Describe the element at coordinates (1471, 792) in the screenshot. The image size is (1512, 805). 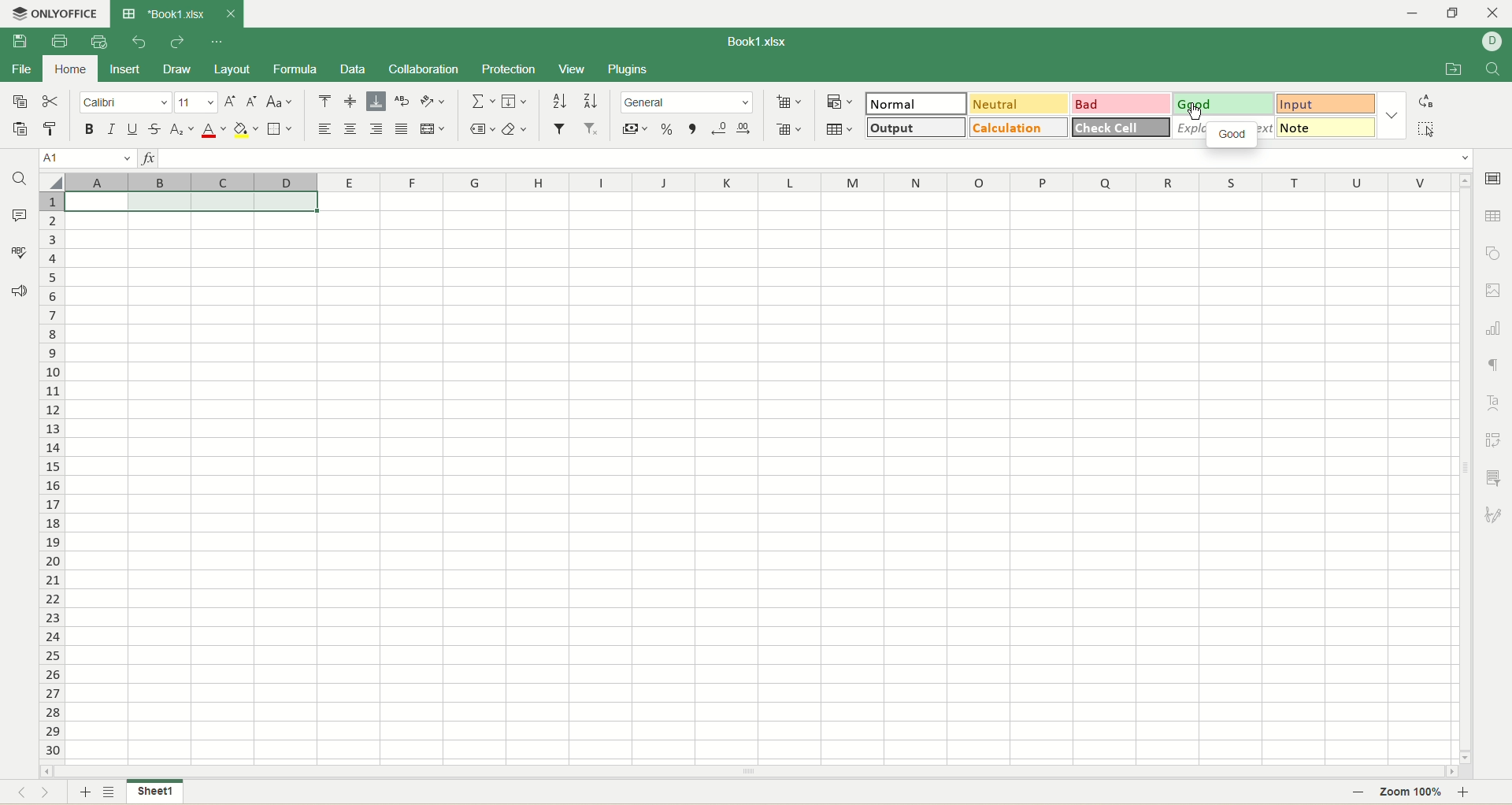
I see `zoom in` at that location.